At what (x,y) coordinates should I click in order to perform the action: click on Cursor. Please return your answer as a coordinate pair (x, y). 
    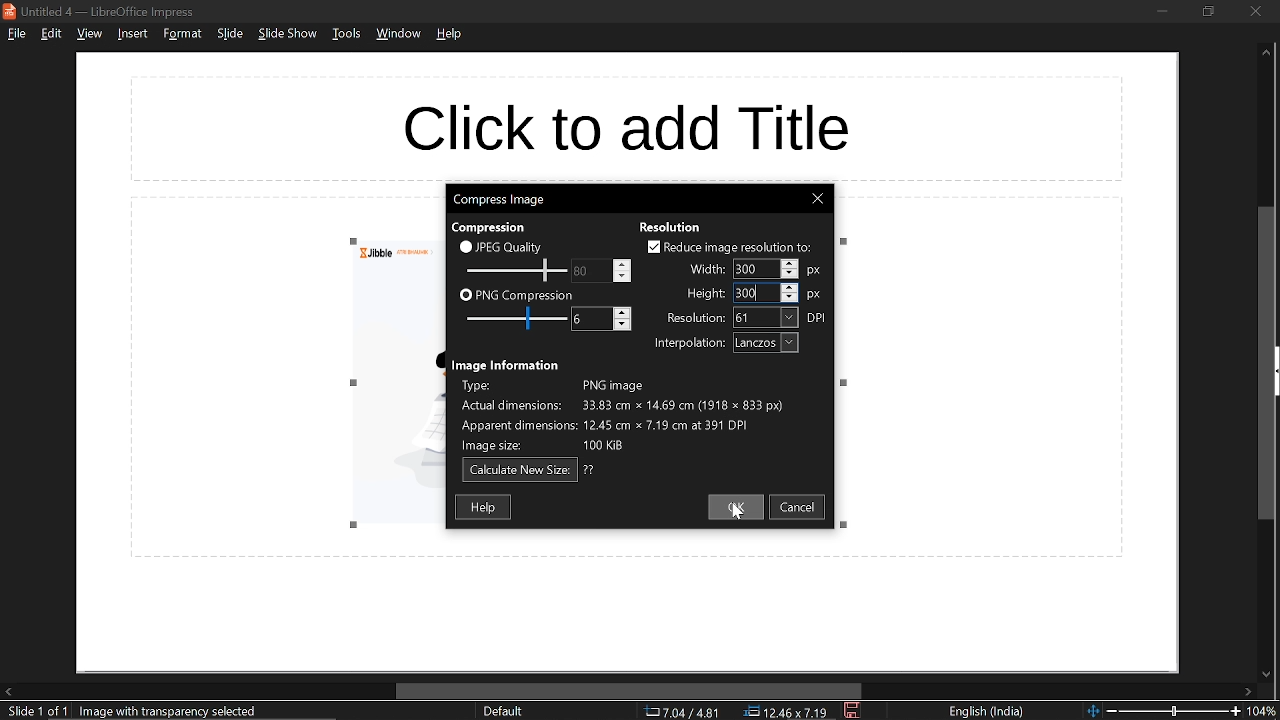
    Looking at the image, I should click on (738, 513).